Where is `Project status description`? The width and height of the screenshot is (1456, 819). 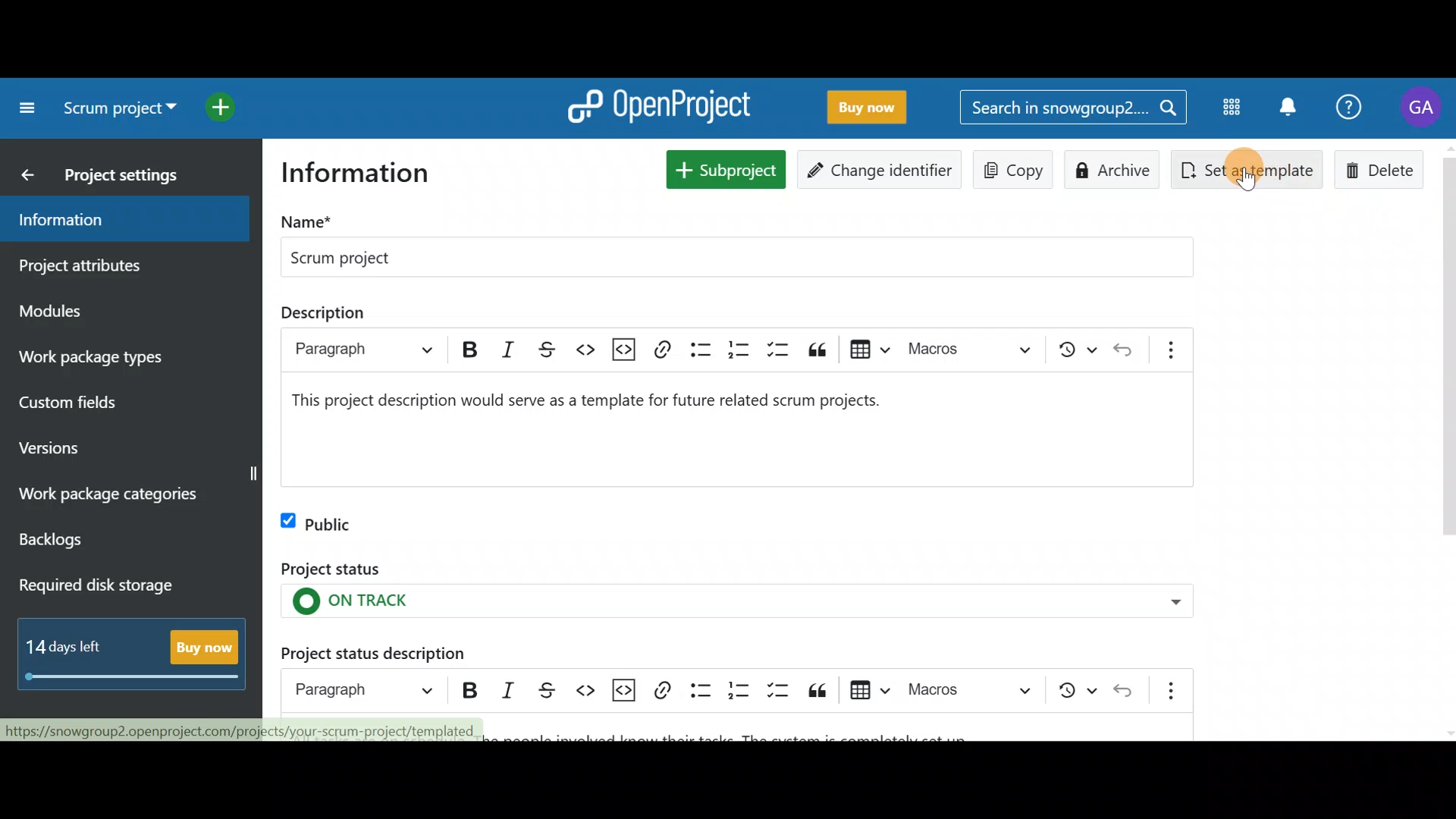 Project status description is located at coordinates (742, 730).